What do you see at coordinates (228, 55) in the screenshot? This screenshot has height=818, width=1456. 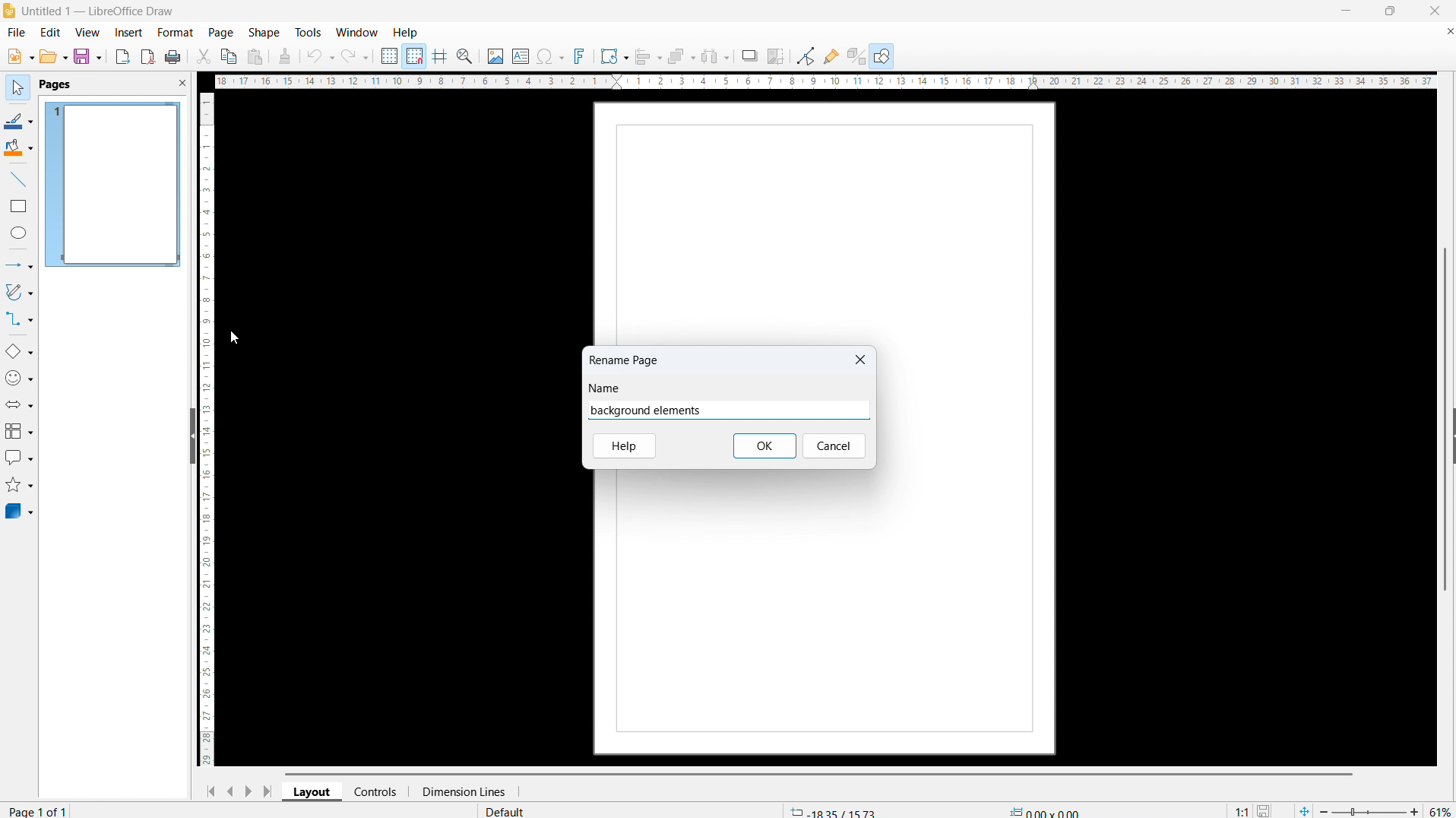 I see `copy` at bounding box center [228, 55].